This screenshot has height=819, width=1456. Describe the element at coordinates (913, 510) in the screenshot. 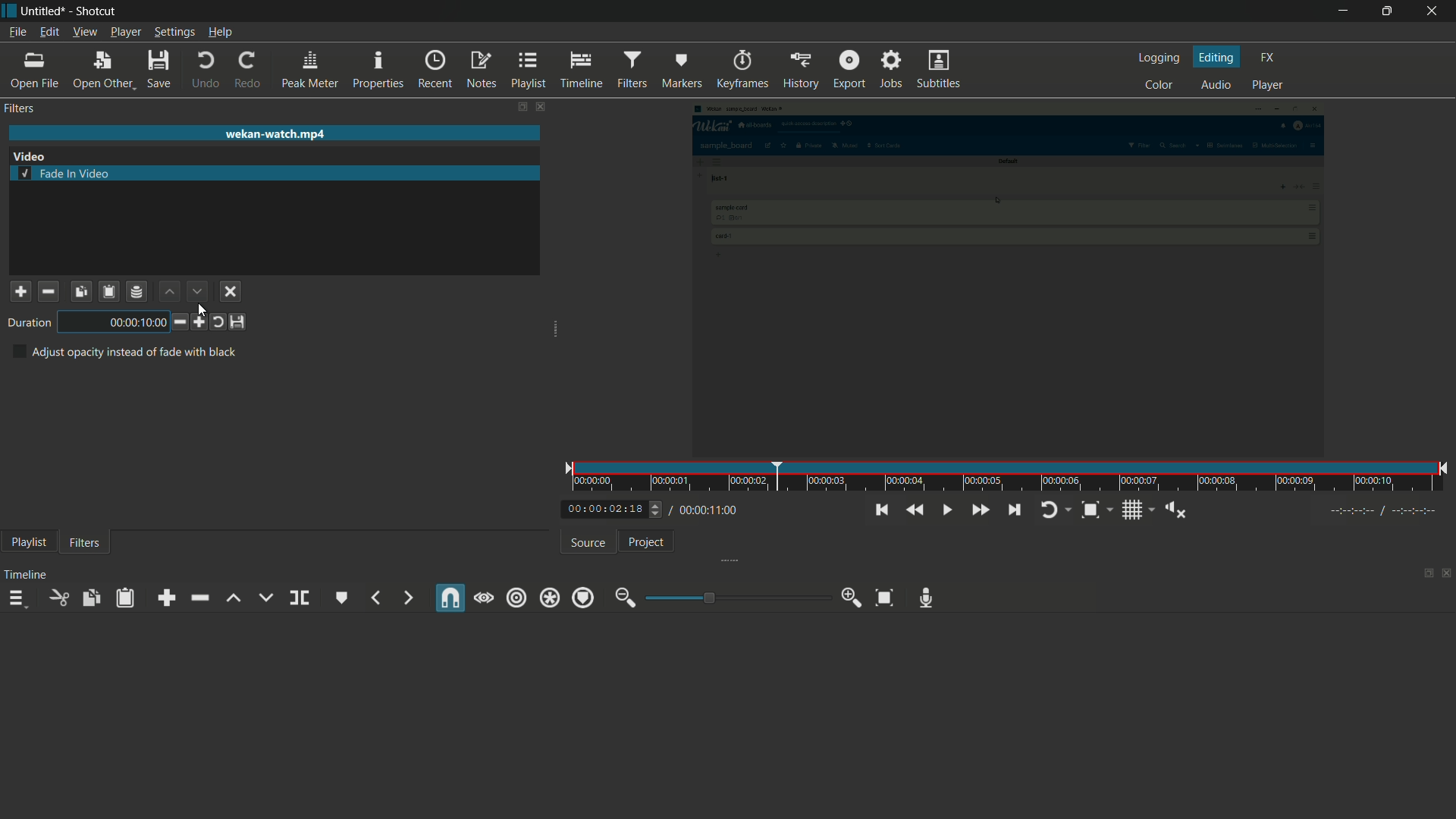

I see `quickly play backward` at that location.